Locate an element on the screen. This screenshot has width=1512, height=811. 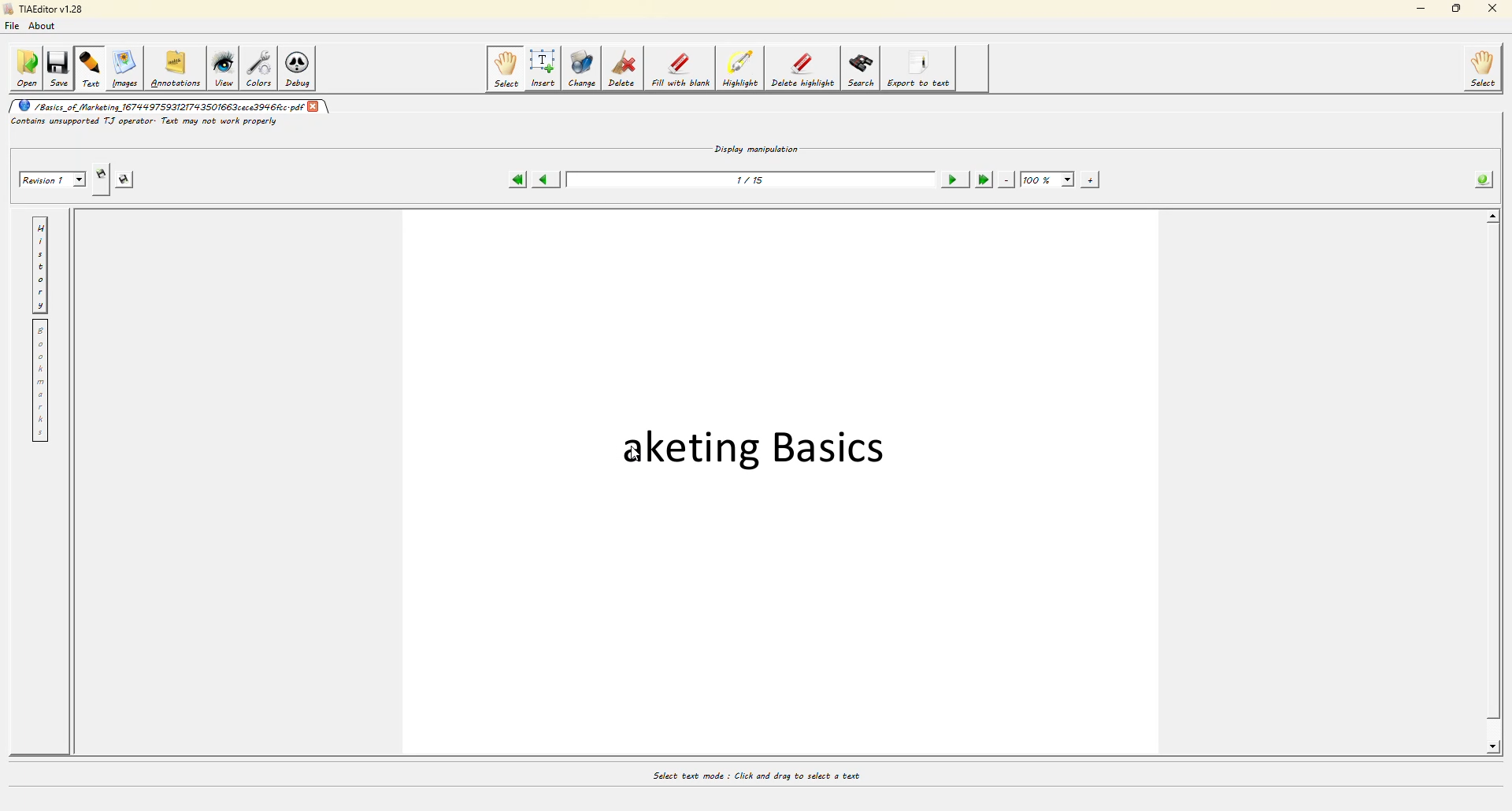
history is located at coordinates (39, 267).